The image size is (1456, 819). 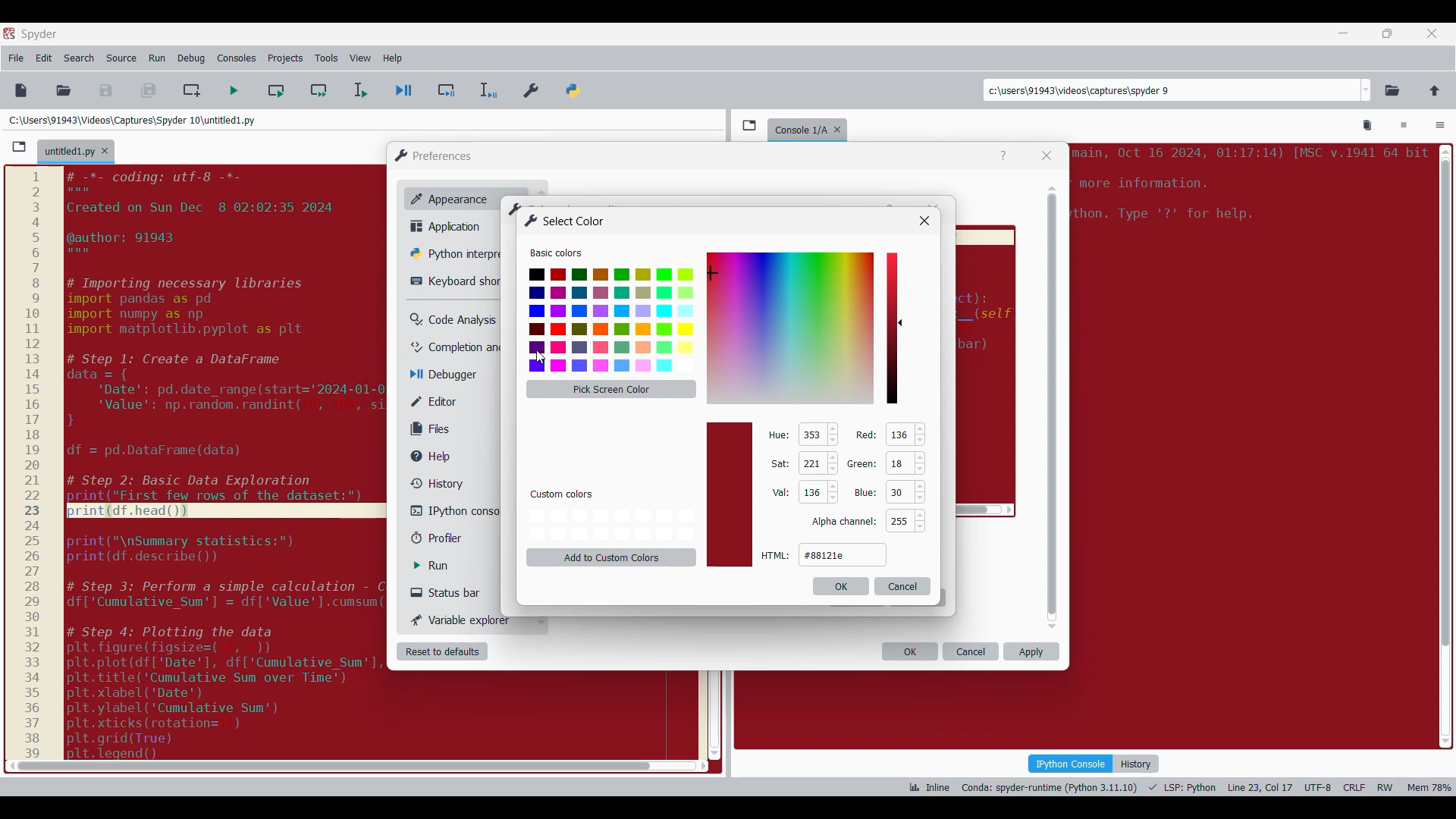 I want to click on val, so click(x=780, y=493).